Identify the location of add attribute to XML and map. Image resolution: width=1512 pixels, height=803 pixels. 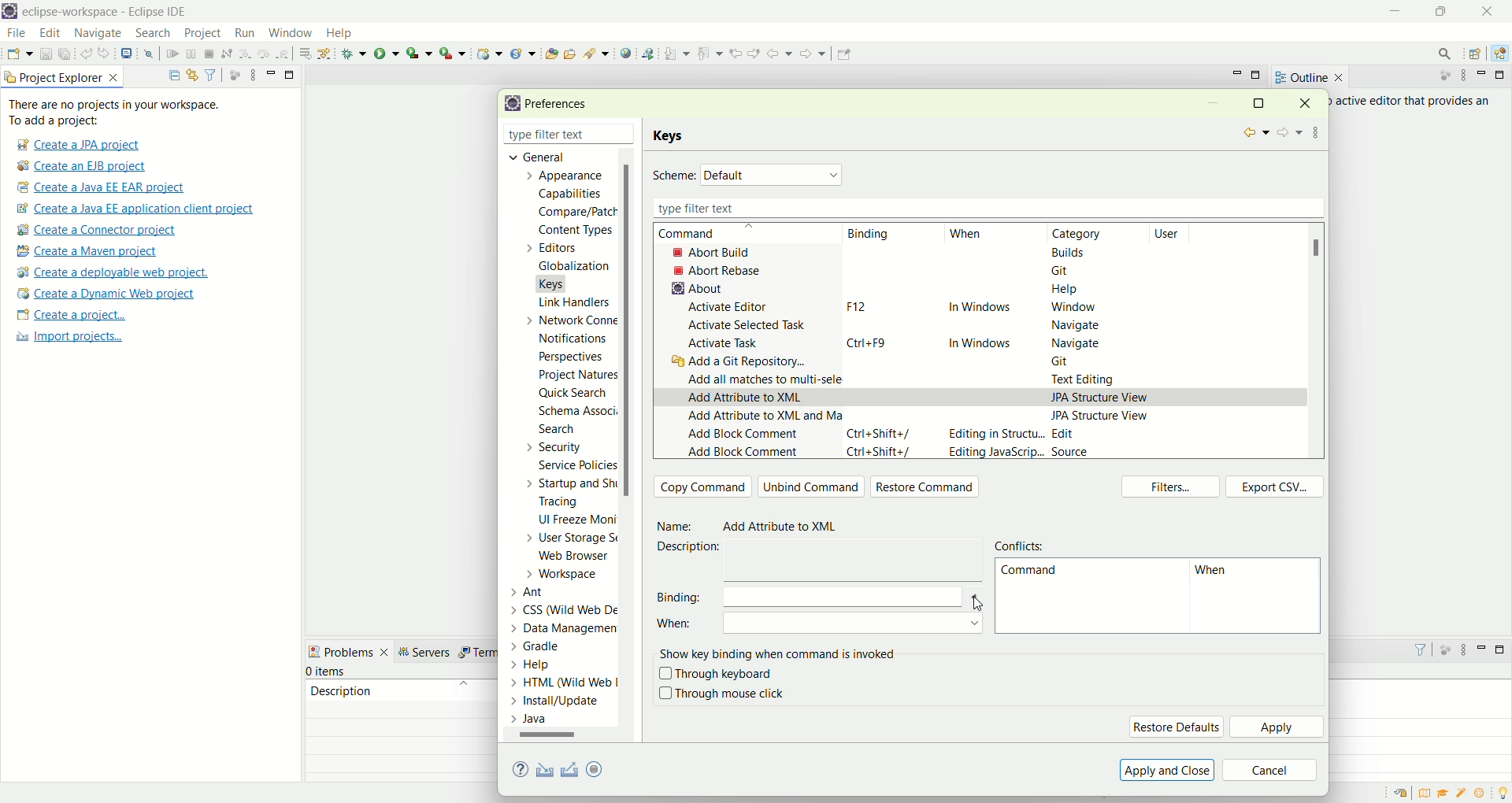
(762, 420).